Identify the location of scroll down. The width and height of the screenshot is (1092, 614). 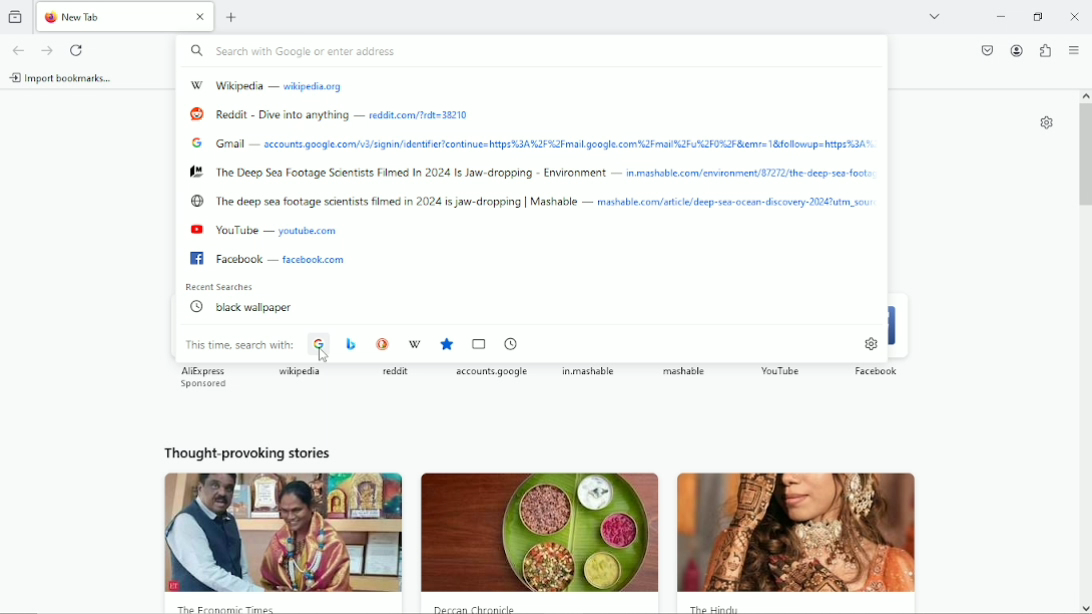
(1084, 606).